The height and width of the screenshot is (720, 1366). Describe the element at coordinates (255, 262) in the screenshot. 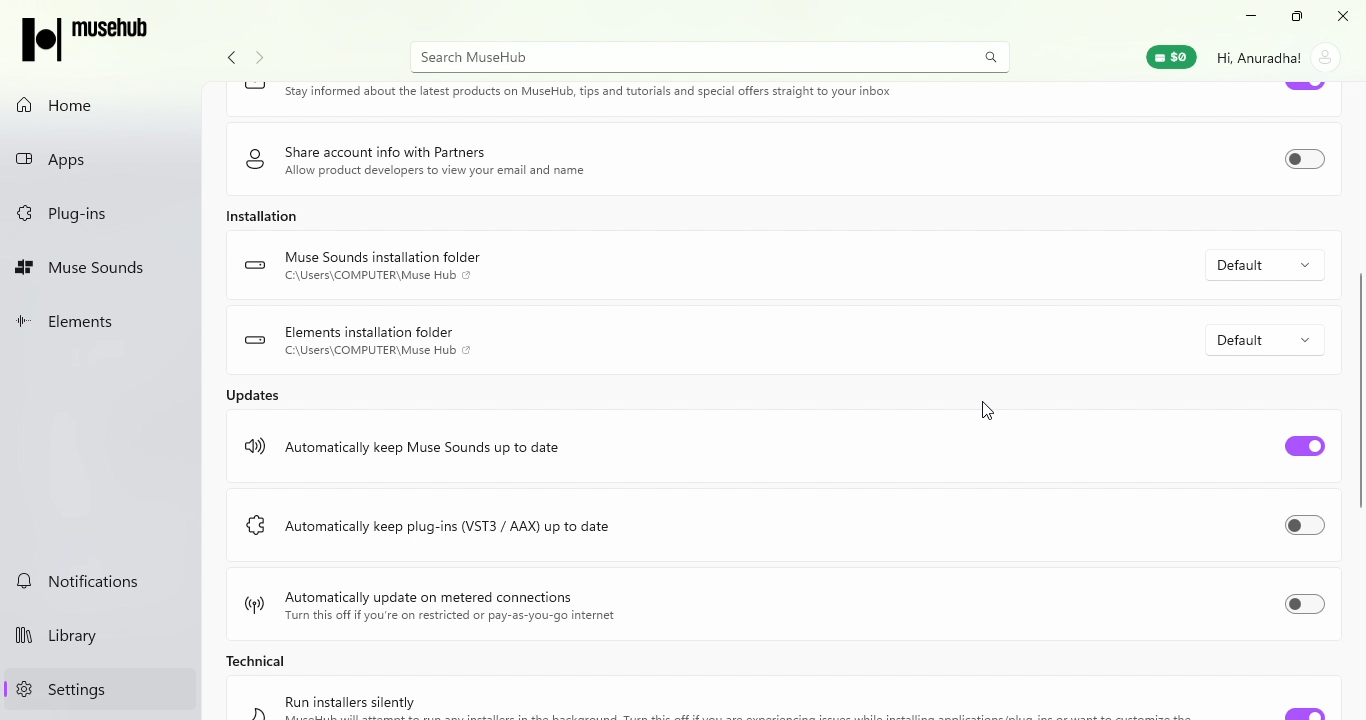

I see `logo ` at that location.